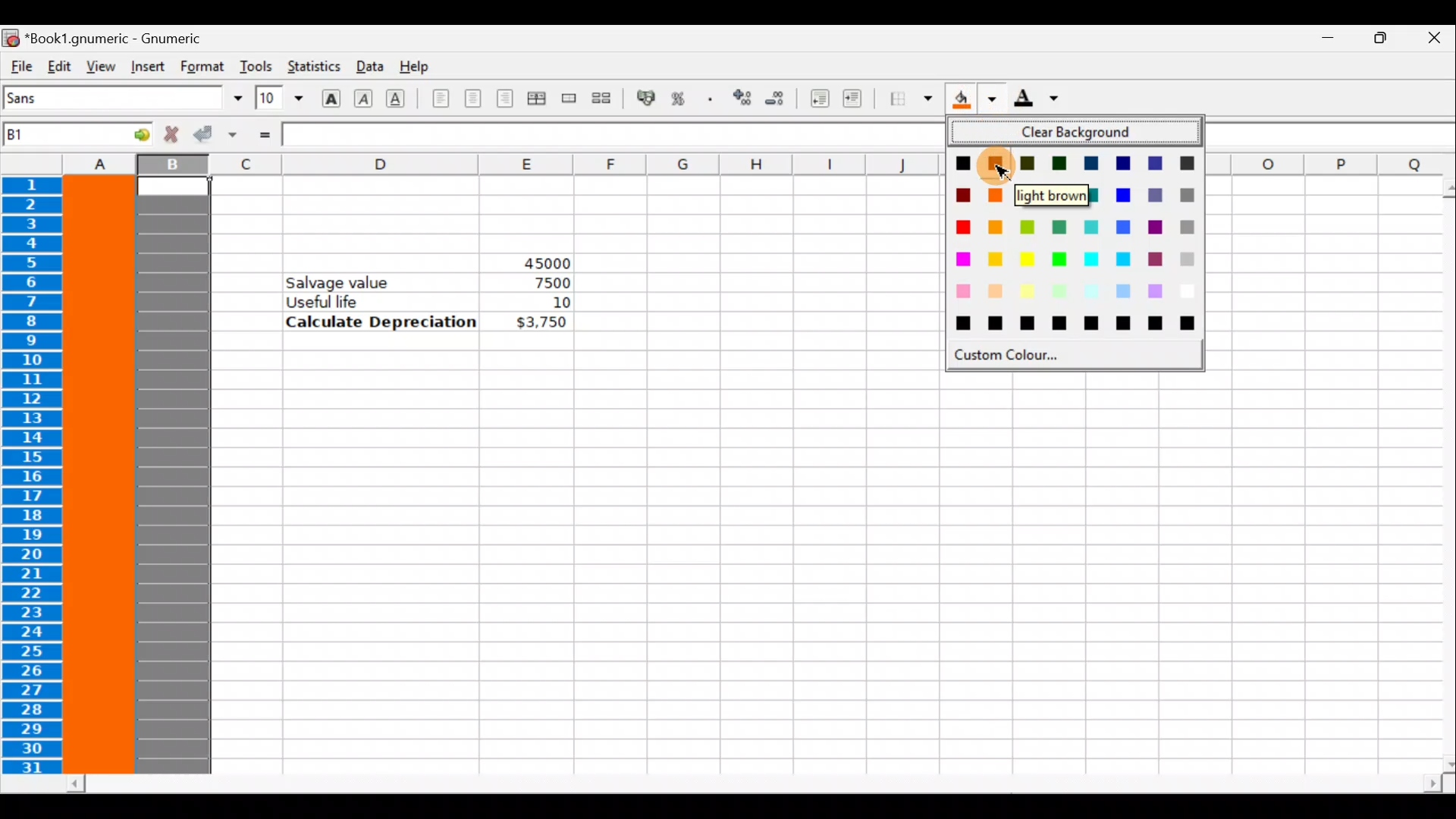 Image resolution: width=1456 pixels, height=819 pixels. Describe the element at coordinates (1081, 133) in the screenshot. I see `Clear background` at that location.